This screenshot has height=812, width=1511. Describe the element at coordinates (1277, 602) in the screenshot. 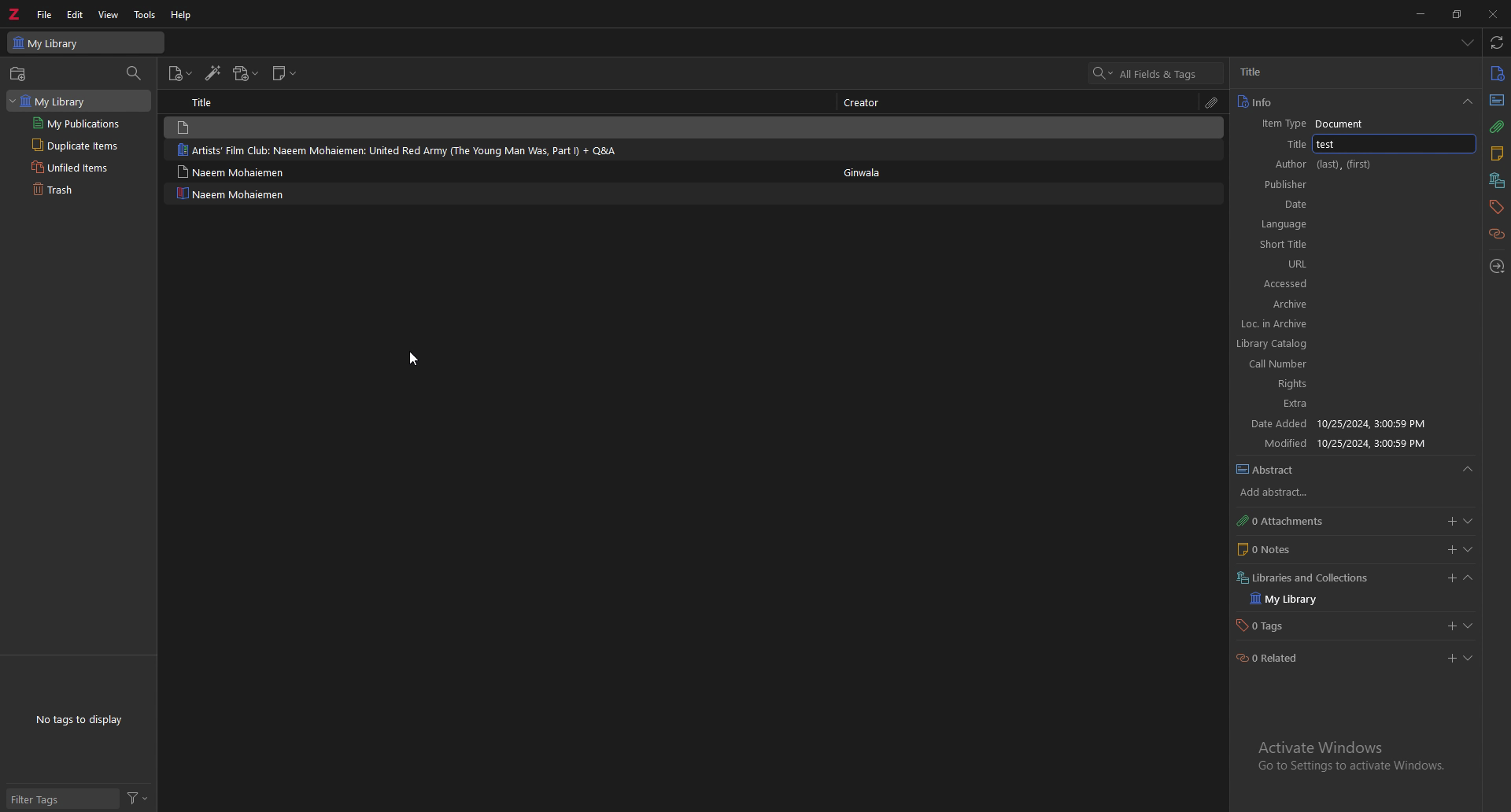

I see `date added` at that location.